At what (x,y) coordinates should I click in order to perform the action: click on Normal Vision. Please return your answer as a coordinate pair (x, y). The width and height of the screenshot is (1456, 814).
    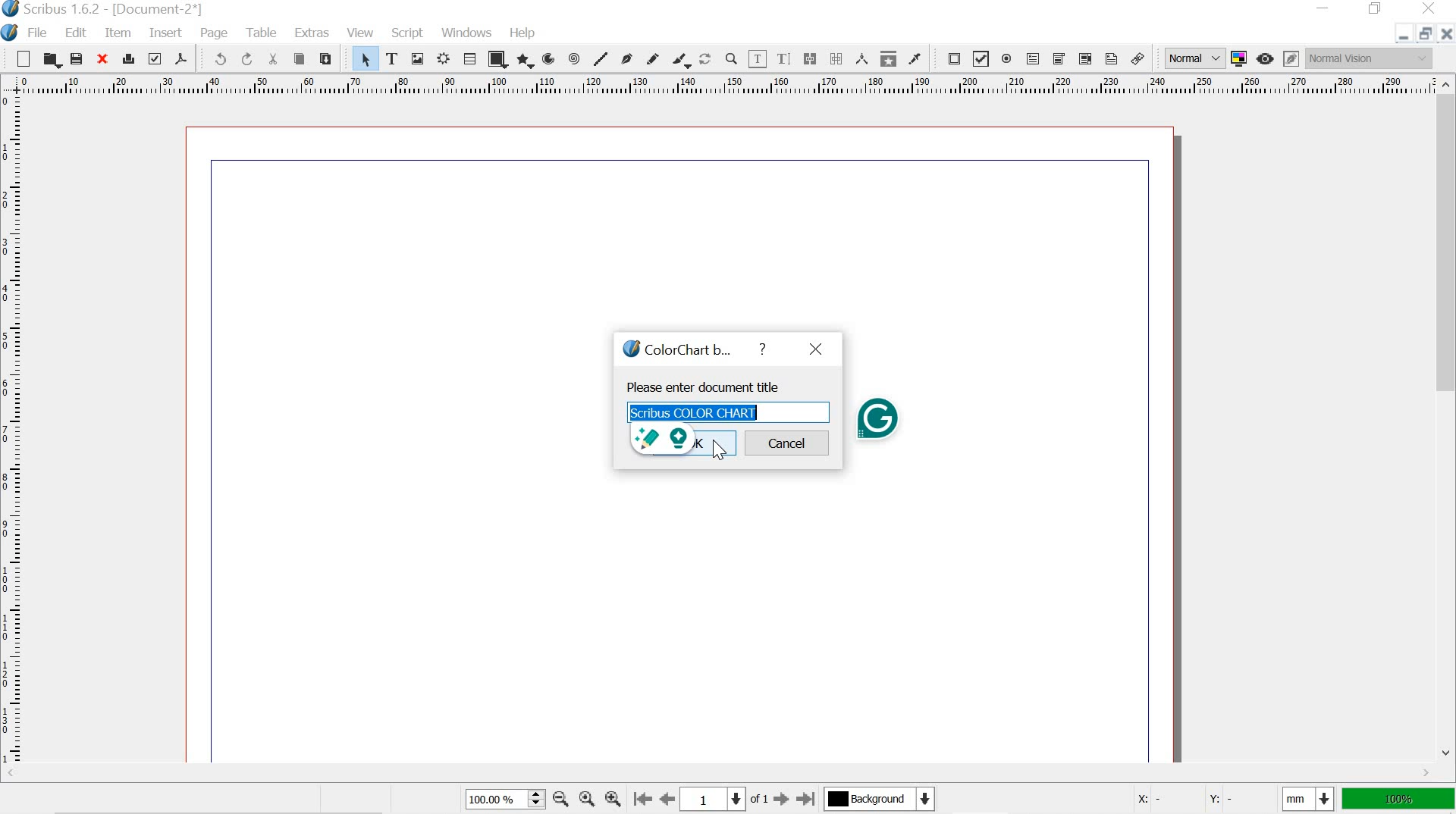
    Looking at the image, I should click on (1369, 58).